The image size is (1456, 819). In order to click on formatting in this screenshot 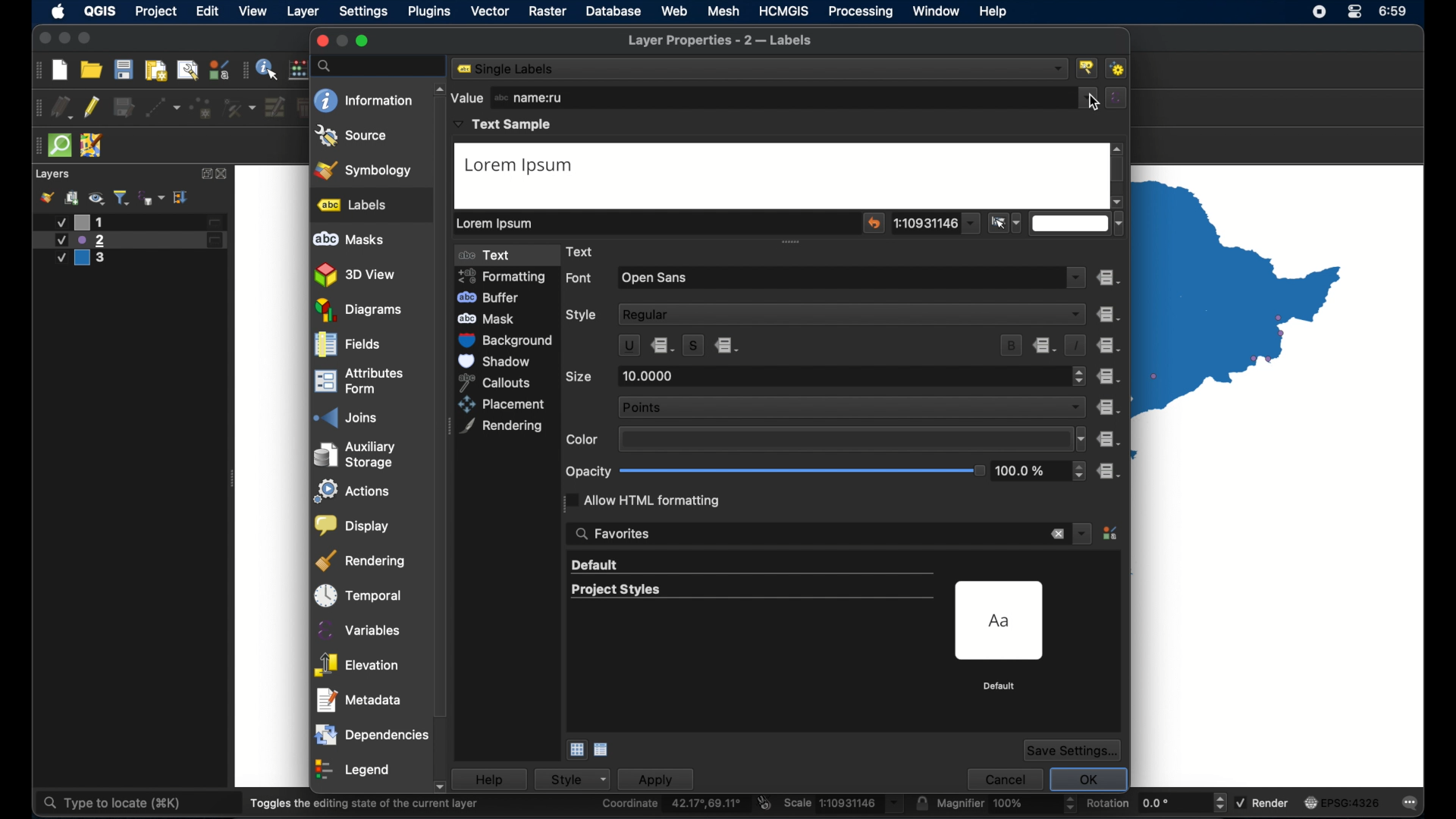, I will do `click(509, 276)`.